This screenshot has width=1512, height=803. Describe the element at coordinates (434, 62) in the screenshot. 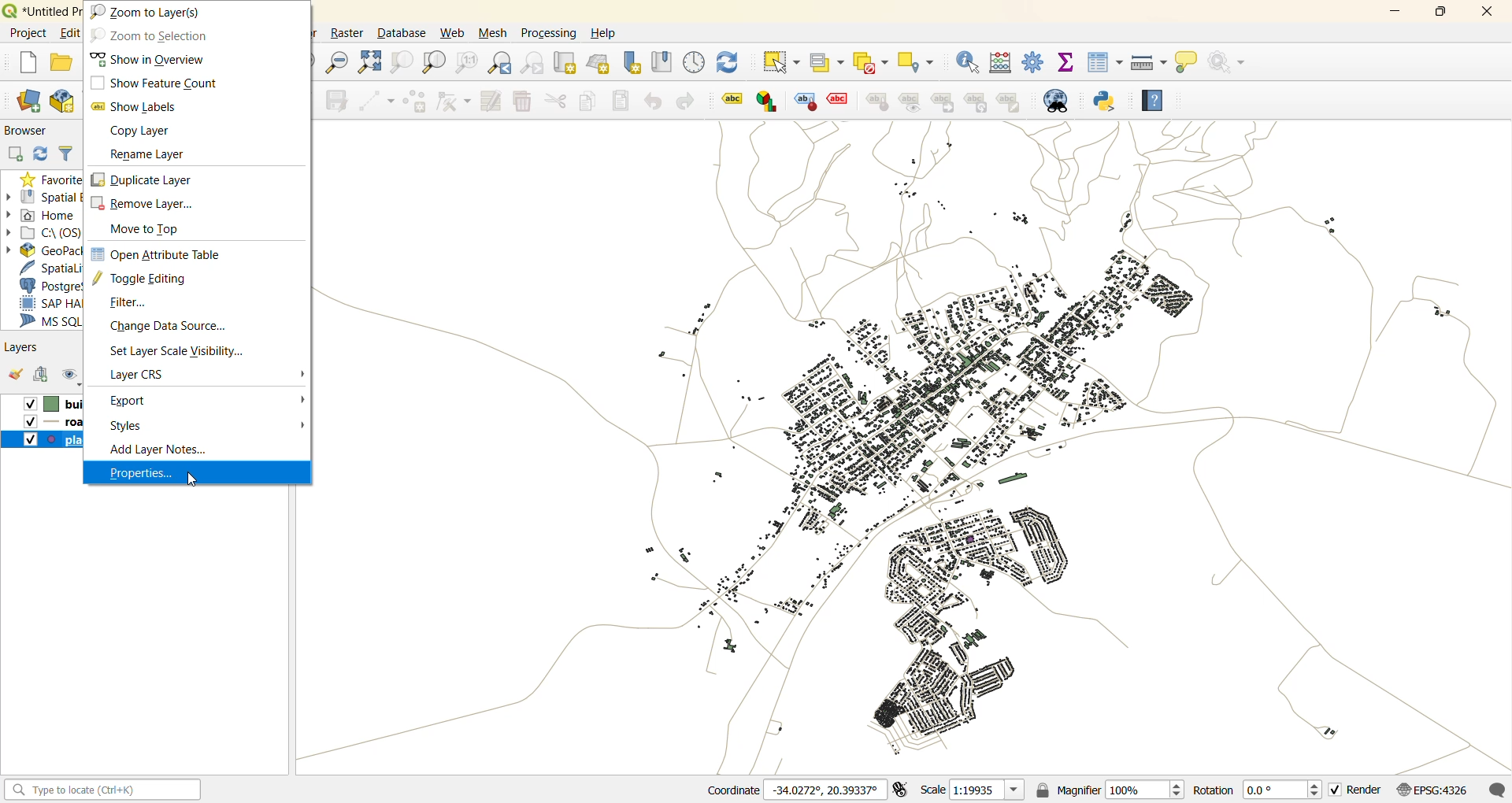

I see `zoom layer` at that location.